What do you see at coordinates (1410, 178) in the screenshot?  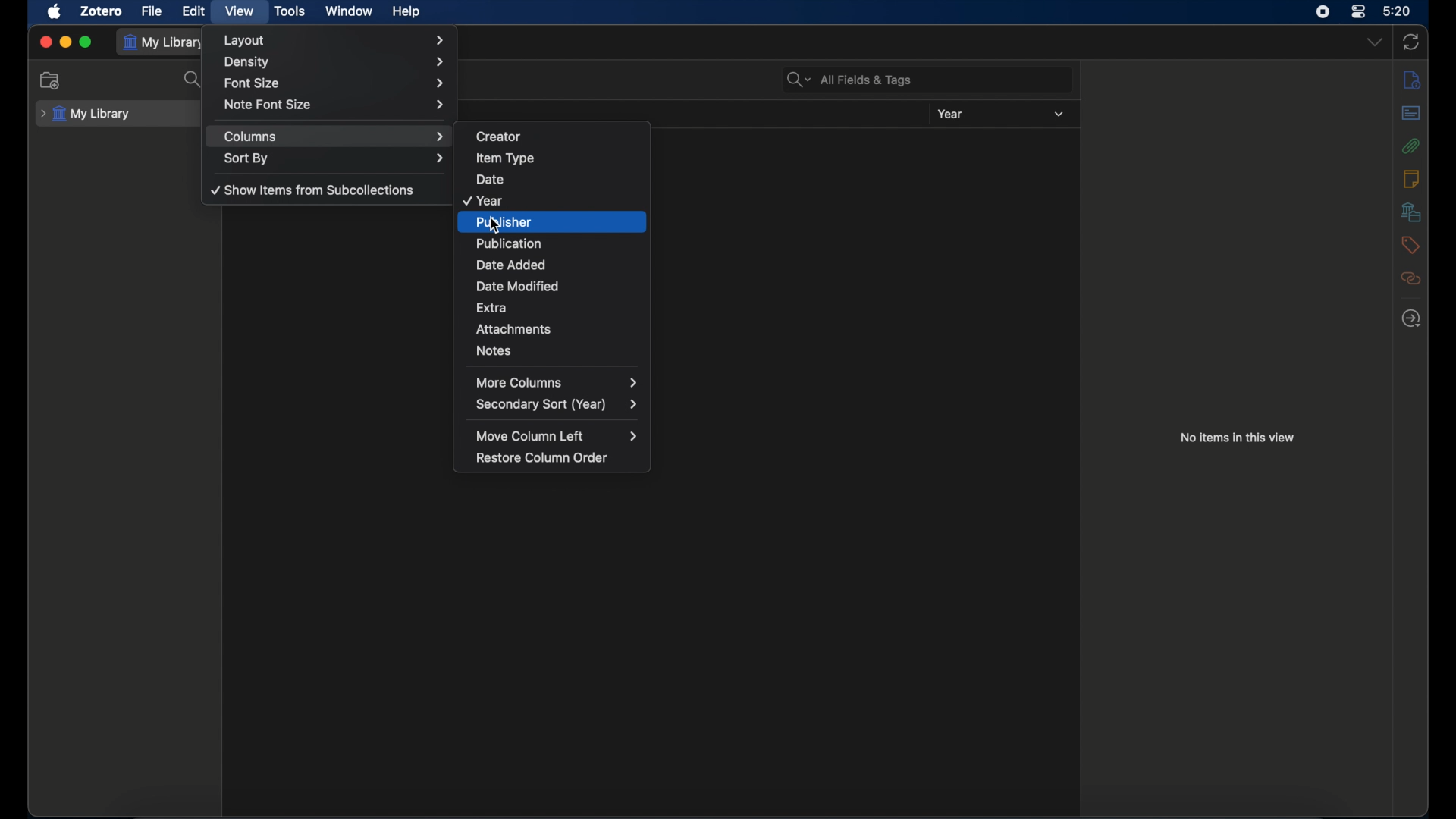 I see `notes` at bounding box center [1410, 178].